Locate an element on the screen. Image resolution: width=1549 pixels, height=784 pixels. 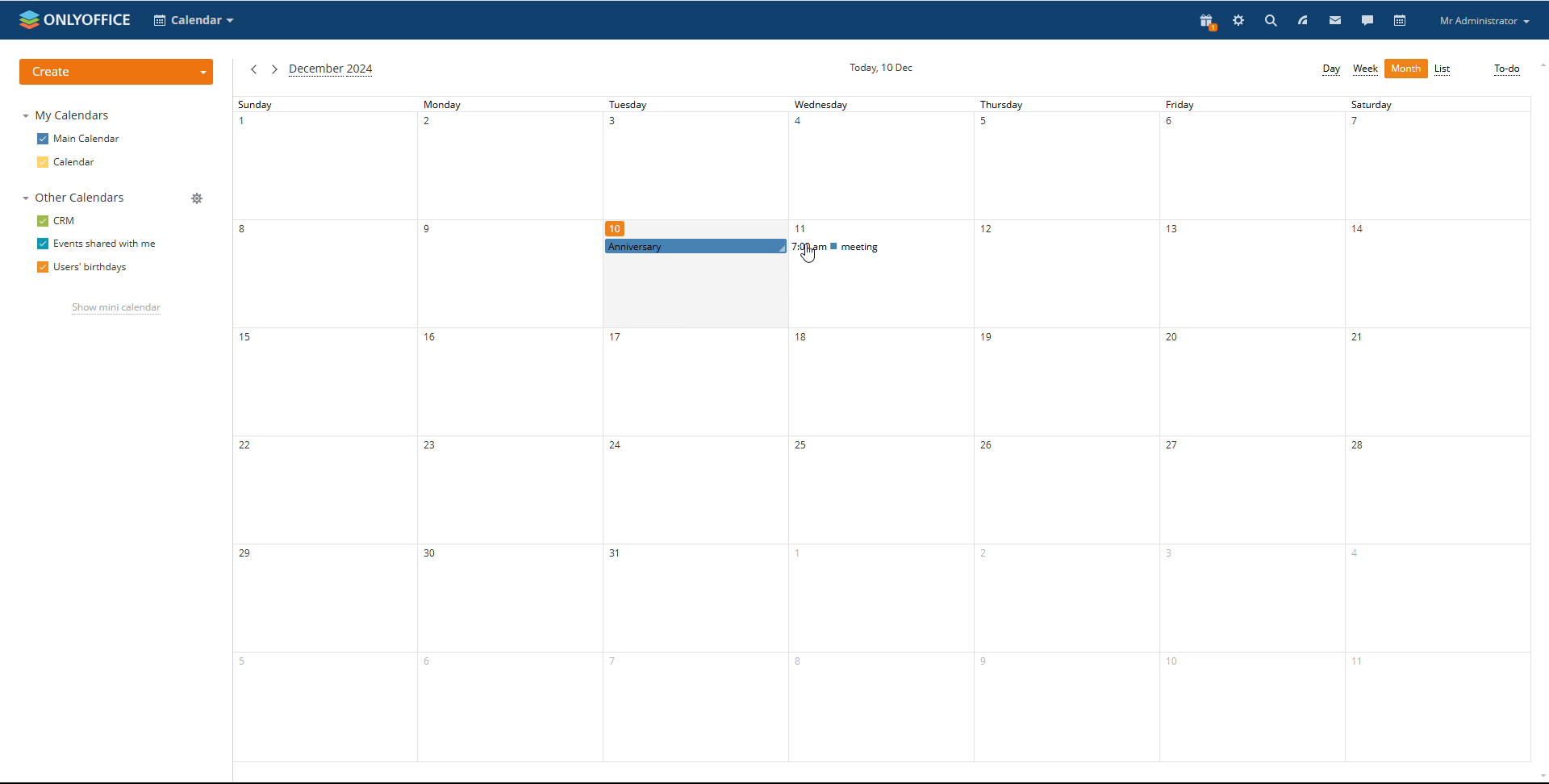
search is located at coordinates (1322, 21).